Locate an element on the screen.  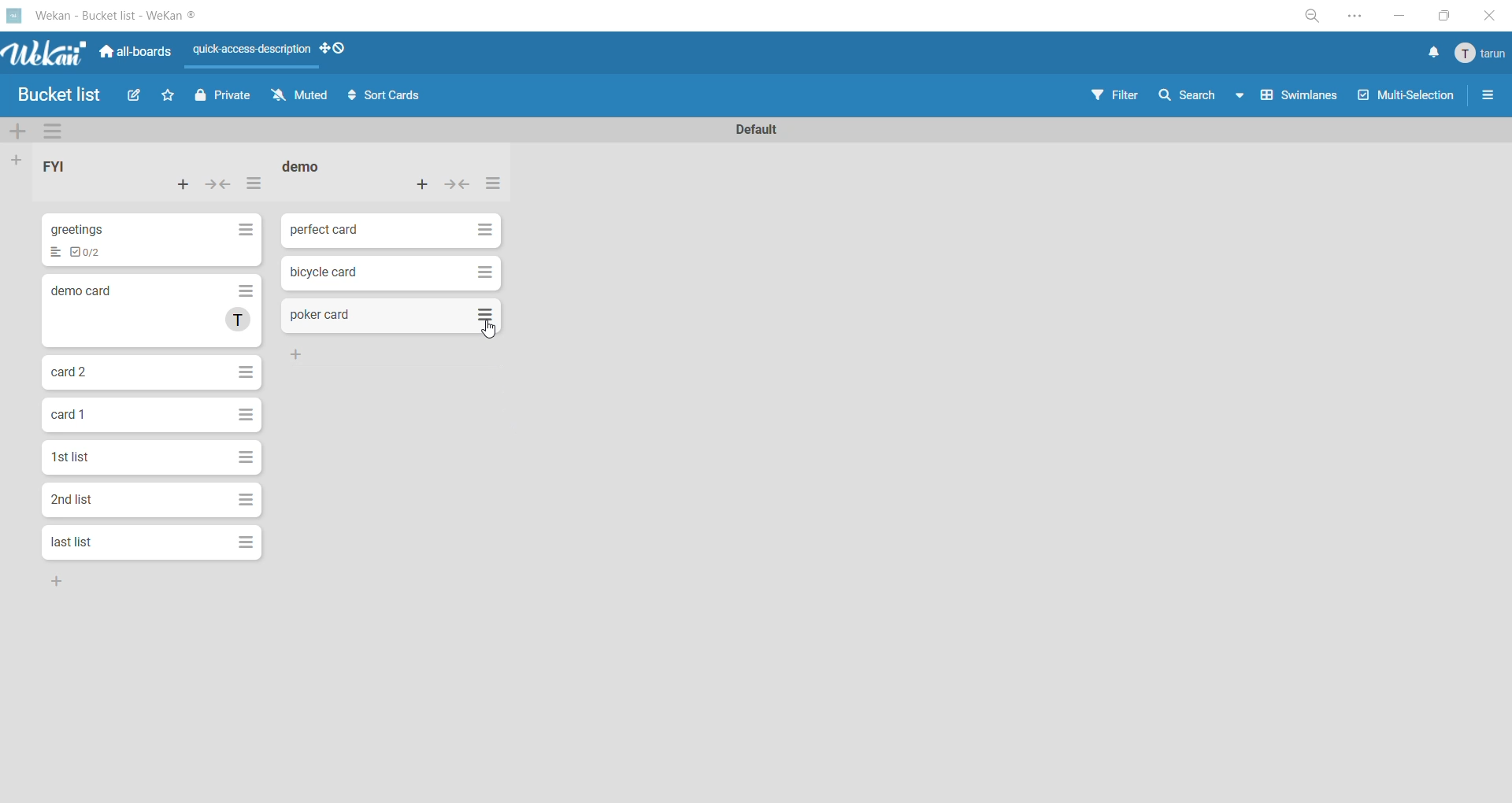
2nd list is located at coordinates (84, 501).